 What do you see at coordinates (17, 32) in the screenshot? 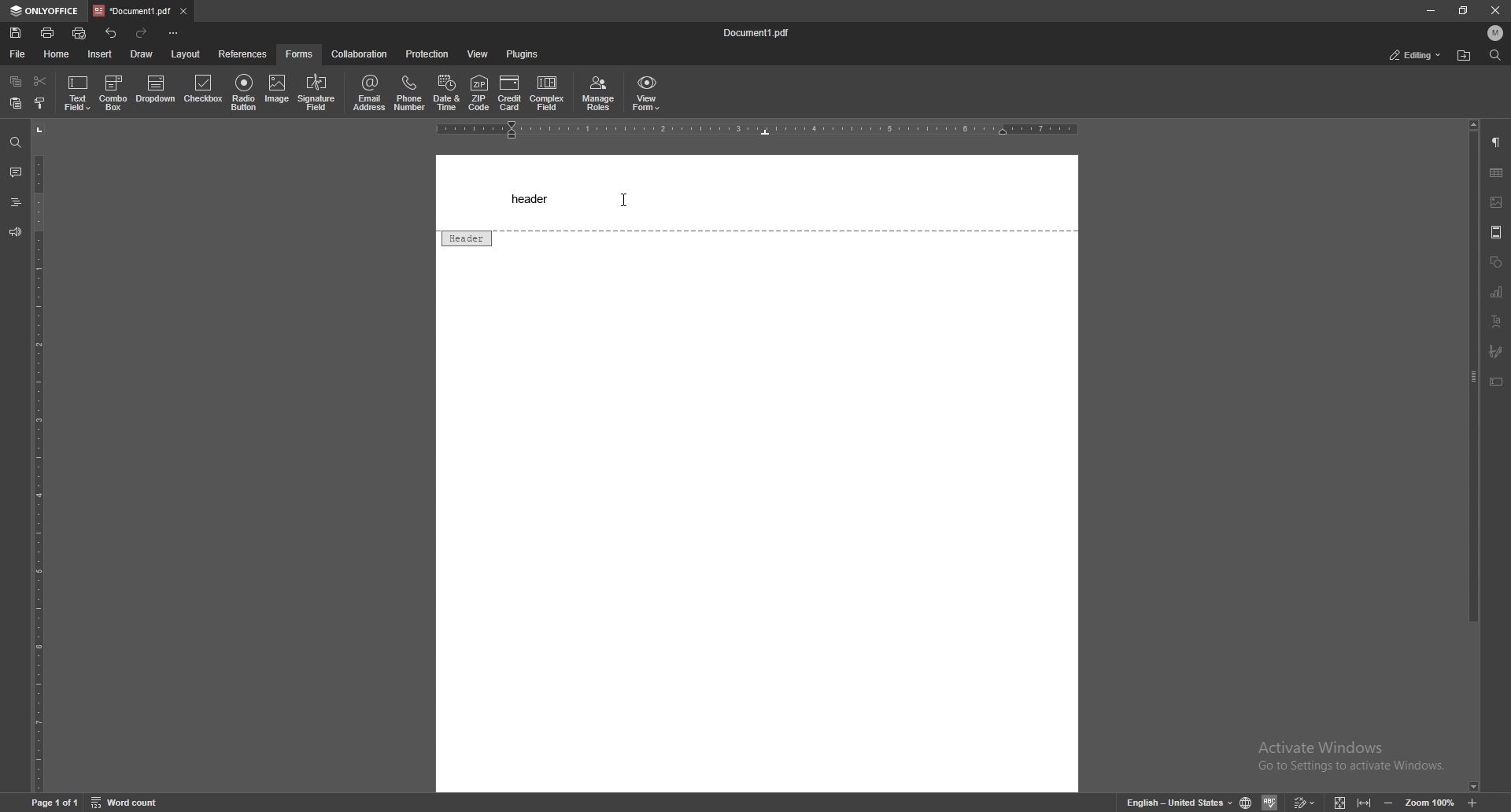
I see `save` at bounding box center [17, 32].